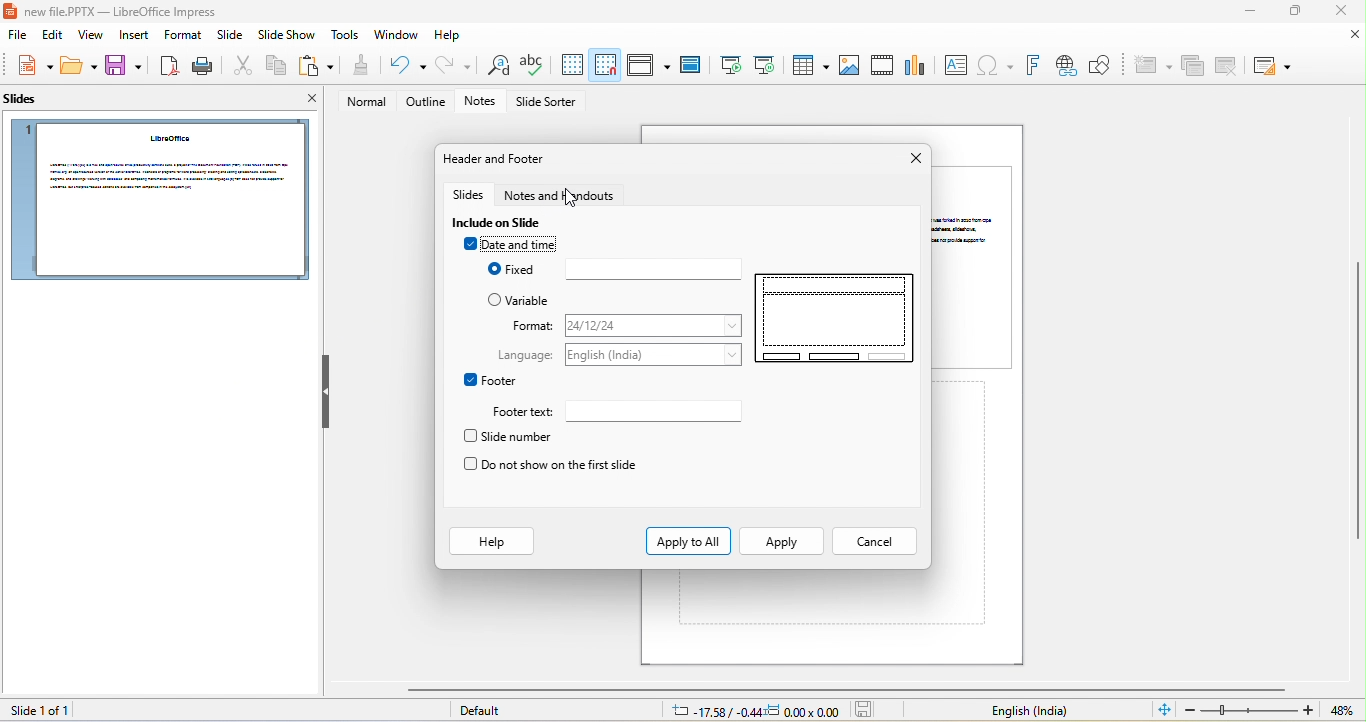 The width and height of the screenshot is (1366, 722). What do you see at coordinates (870, 541) in the screenshot?
I see `cancel` at bounding box center [870, 541].